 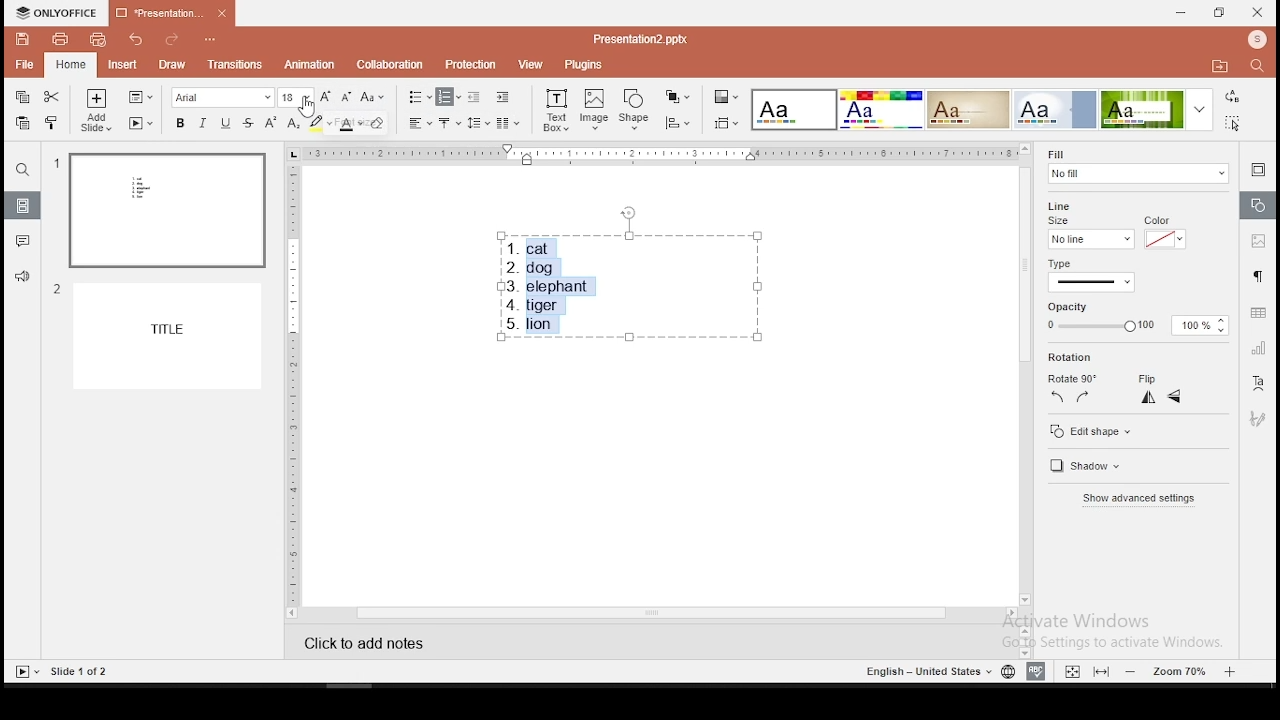 What do you see at coordinates (1088, 233) in the screenshot?
I see `line size` at bounding box center [1088, 233].